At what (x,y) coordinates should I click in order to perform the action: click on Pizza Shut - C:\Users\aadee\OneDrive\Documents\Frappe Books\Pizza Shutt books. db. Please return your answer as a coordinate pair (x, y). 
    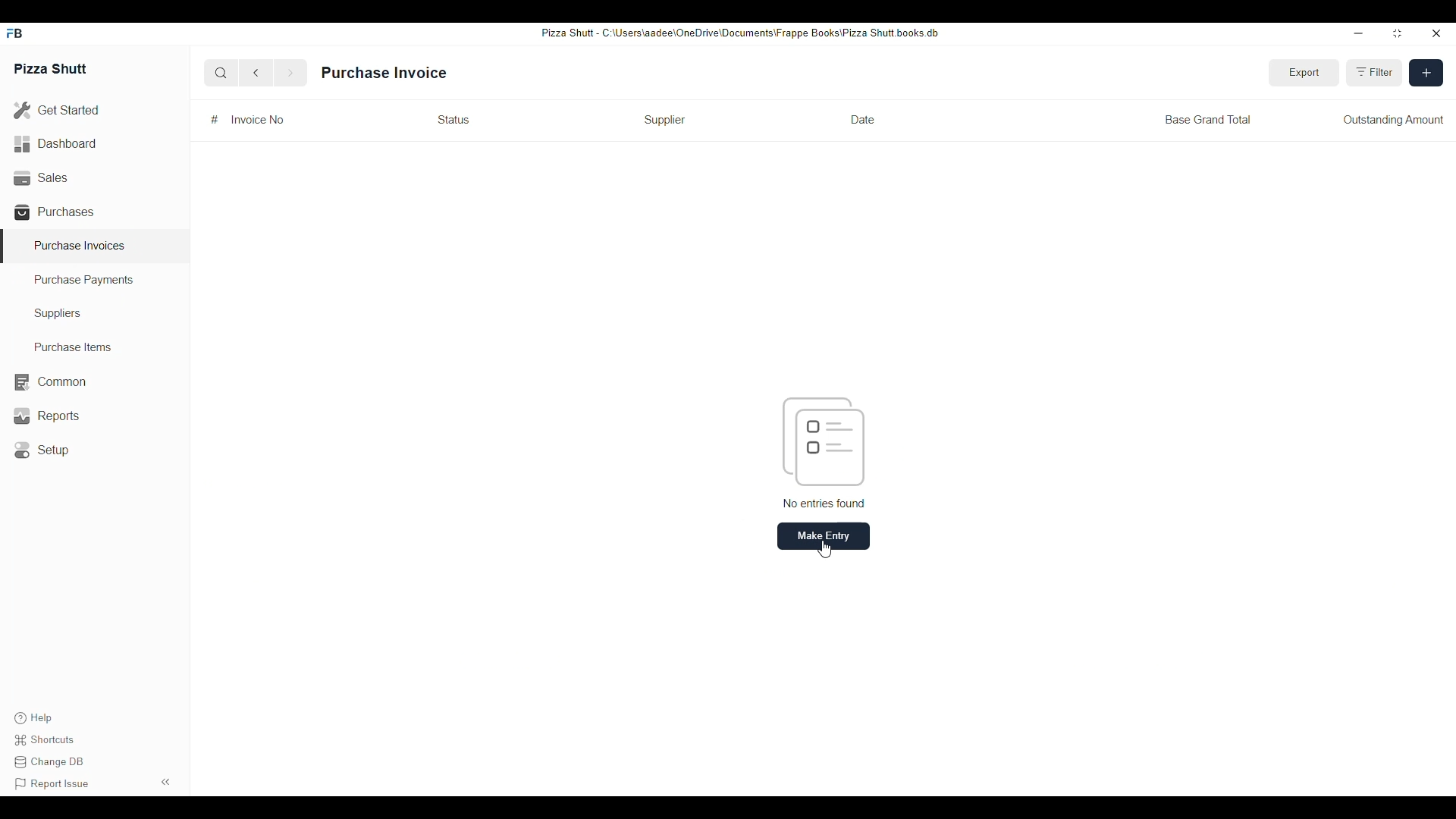
    Looking at the image, I should click on (739, 32).